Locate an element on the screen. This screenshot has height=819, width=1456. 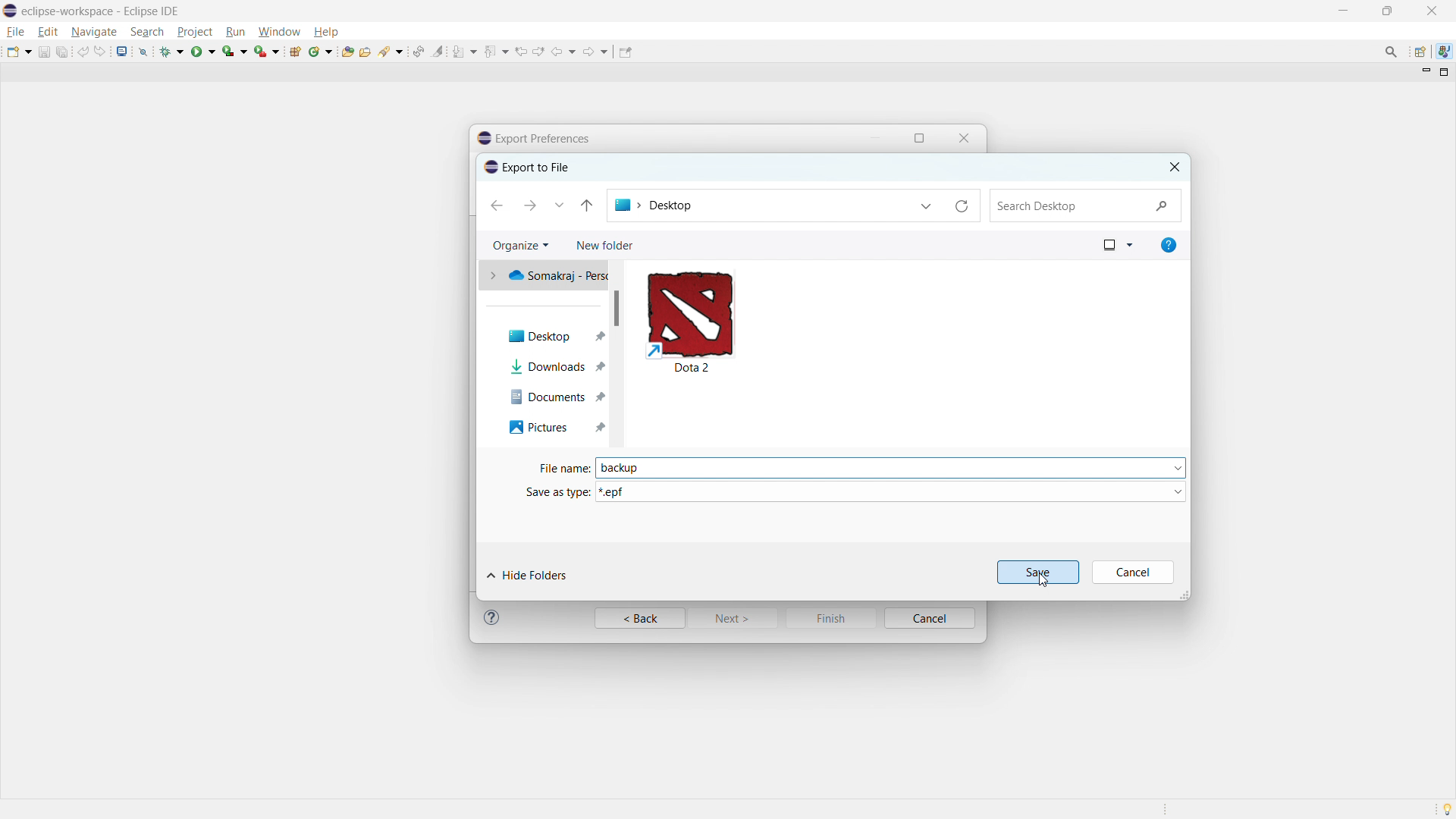
Cancel is located at coordinates (1136, 573).